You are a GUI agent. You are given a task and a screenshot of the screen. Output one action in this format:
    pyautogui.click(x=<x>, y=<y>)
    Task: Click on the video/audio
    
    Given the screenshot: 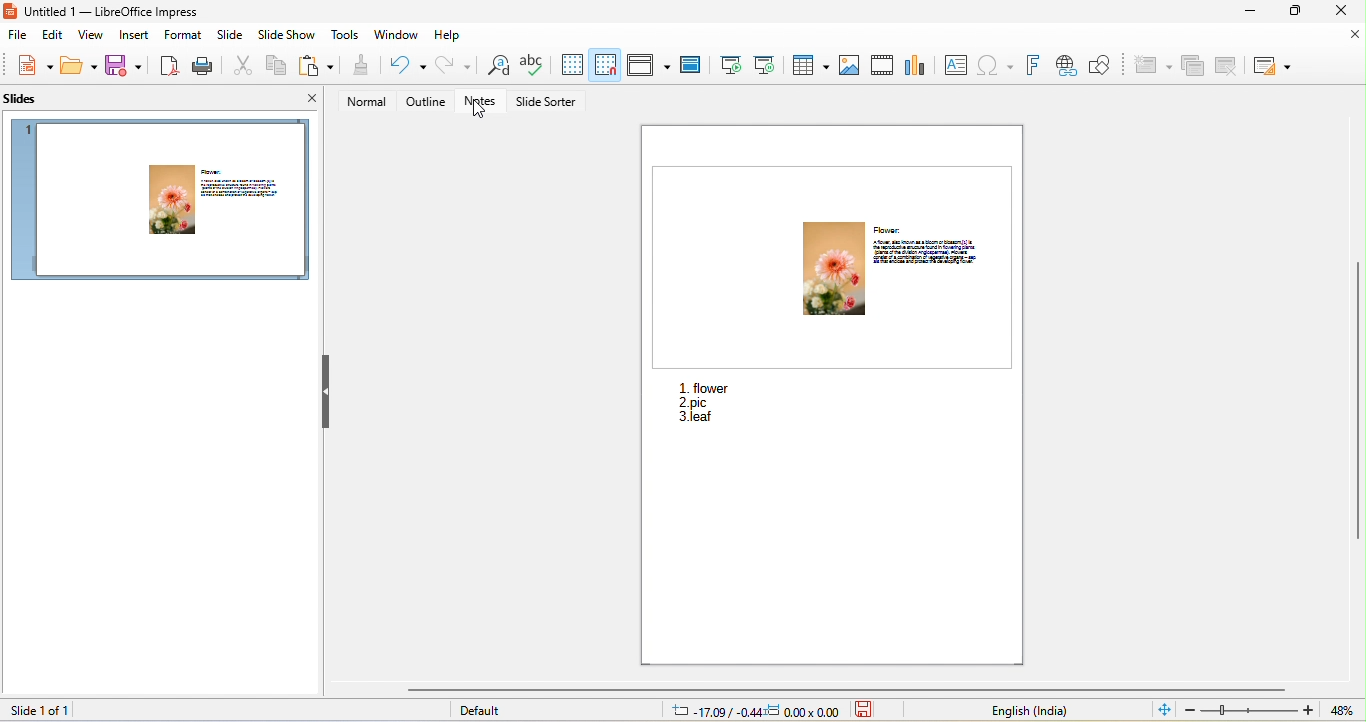 What is the action you would take?
    pyautogui.click(x=881, y=63)
    